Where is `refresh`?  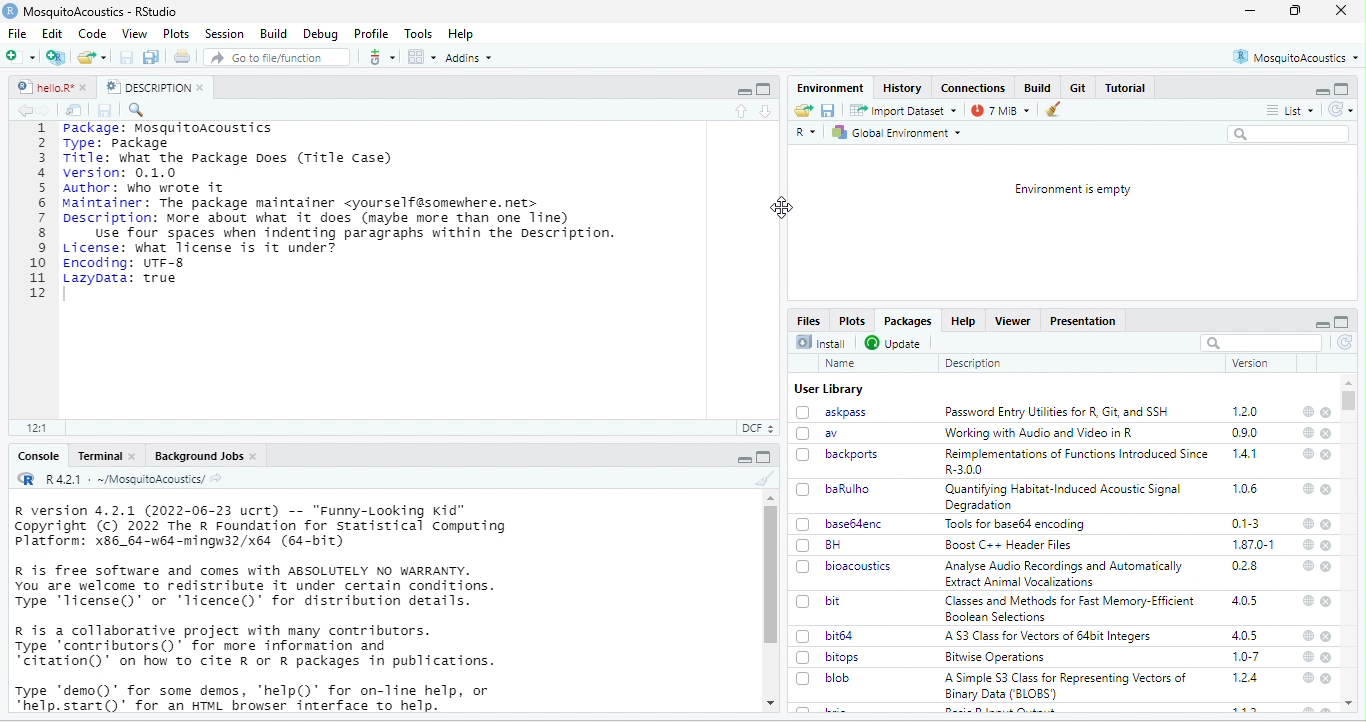 refresh is located at coordinates (1345, 343).